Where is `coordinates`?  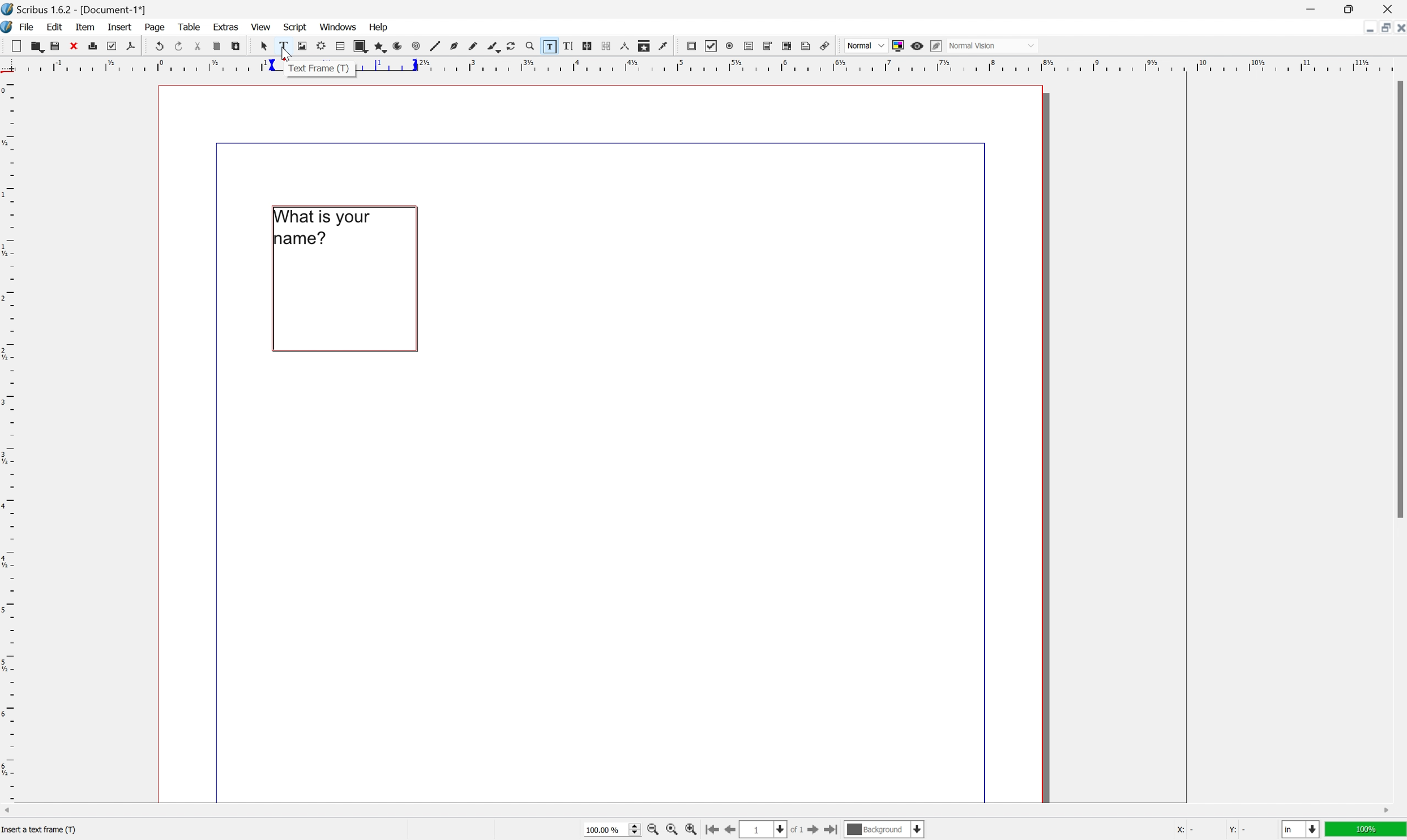
coordinates is located at coordinates (1208, 830).